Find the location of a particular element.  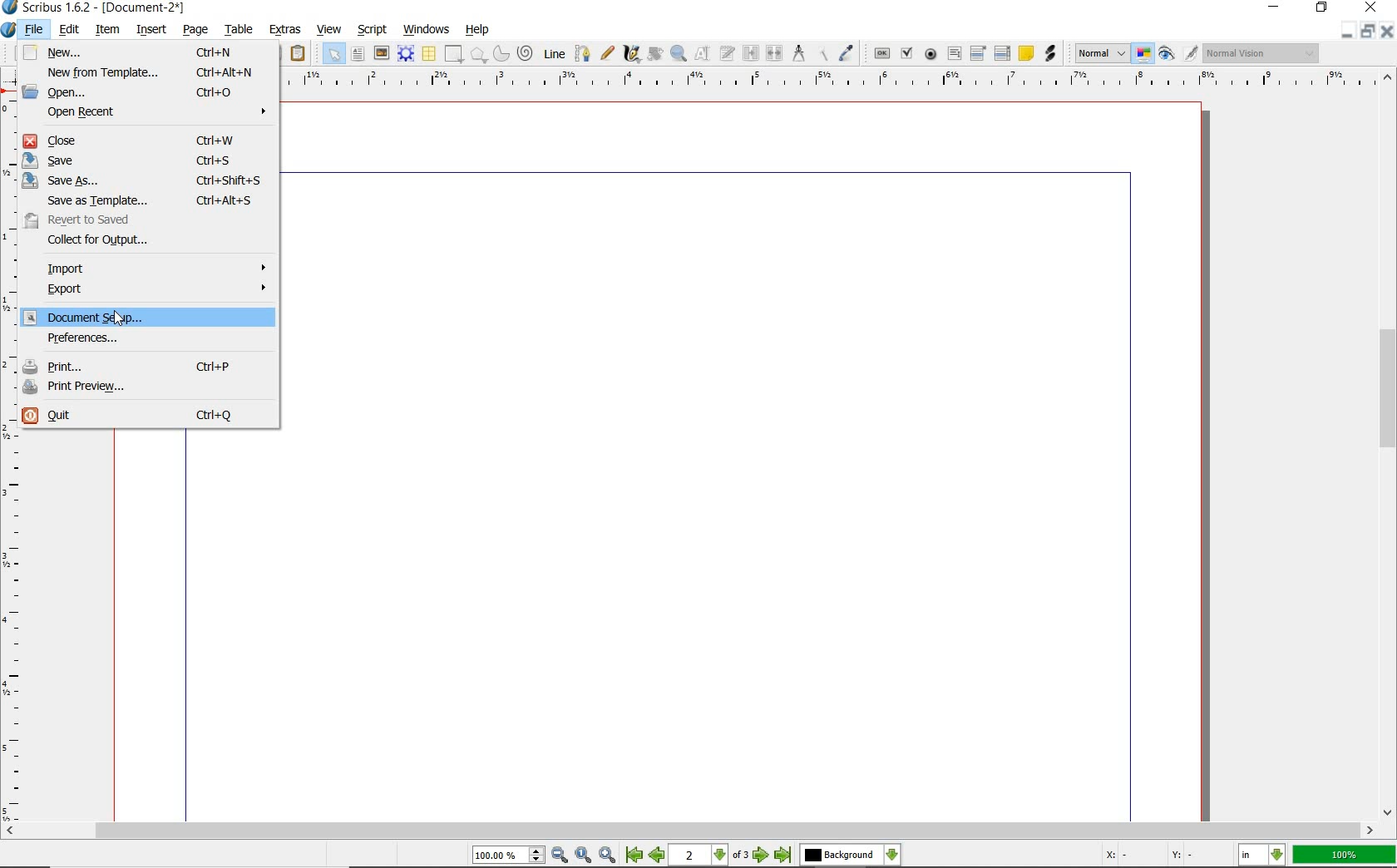

link text frames is located at coordinates (751, 53).